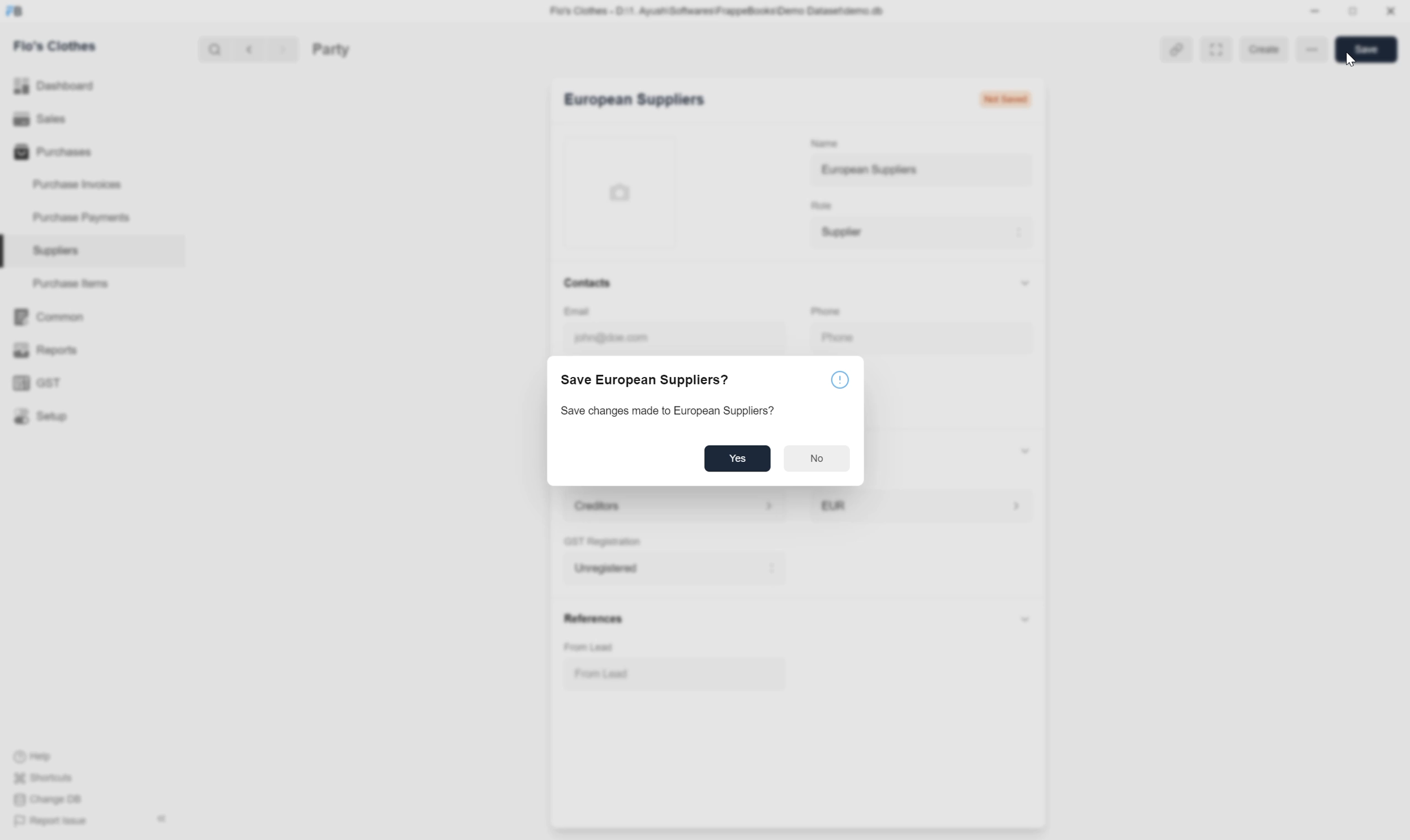  What do you see at coordinates (75, 185) in the screenshot?
I see `purchase invoices` at bounding box center [75, 185].